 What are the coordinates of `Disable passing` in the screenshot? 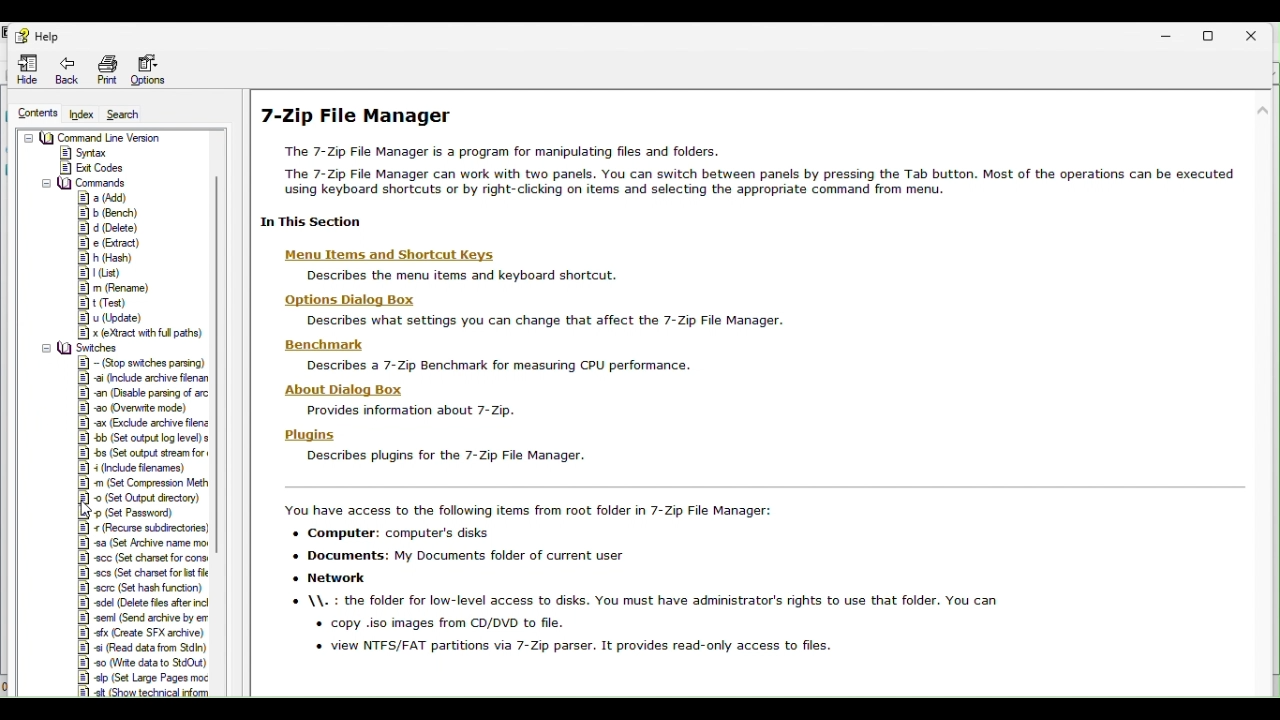 It's located at (139, 394).